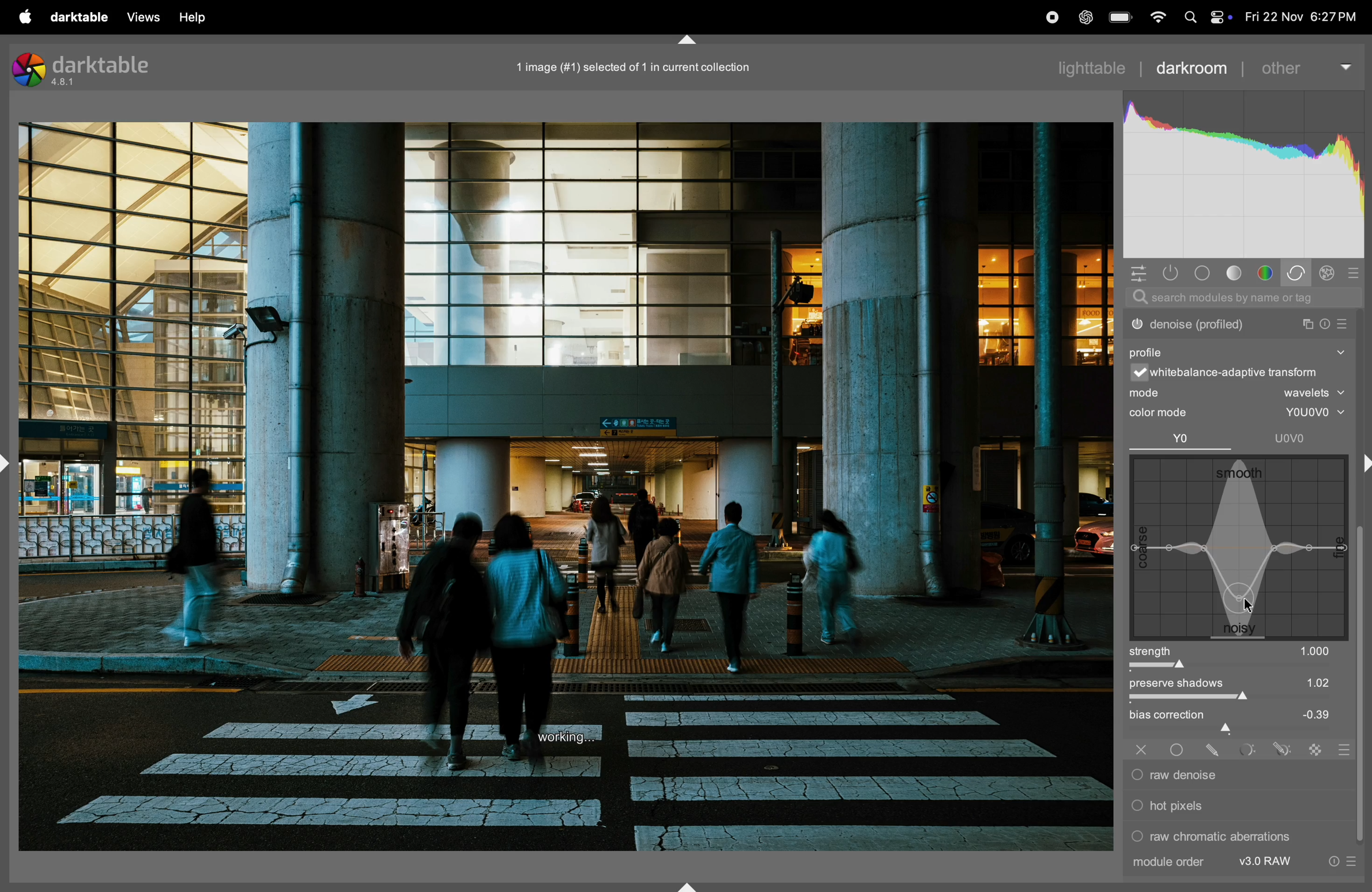  I want to click on drawn mask, so click(1216, 750).